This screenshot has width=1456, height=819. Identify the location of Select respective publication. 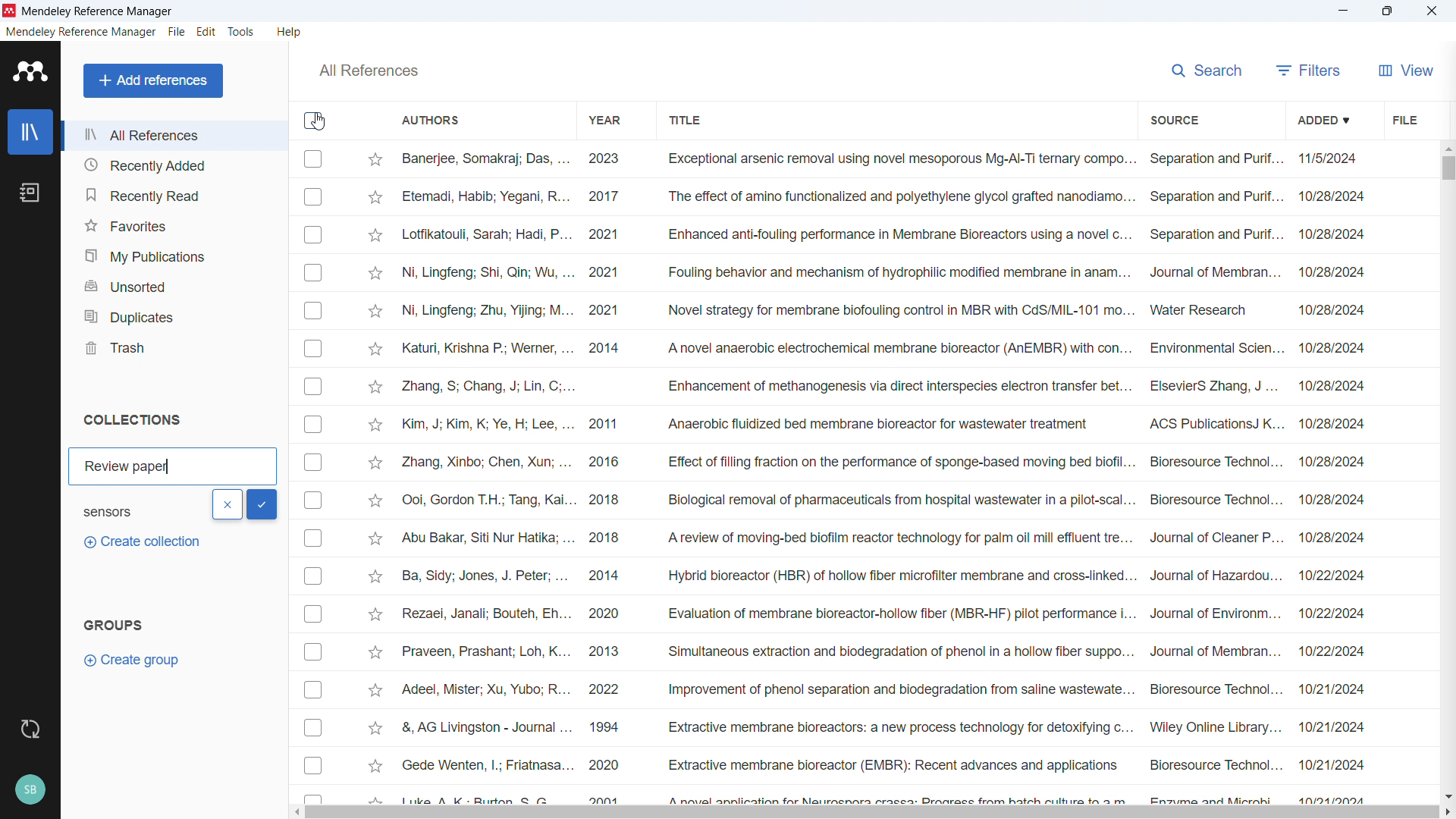
(313, 500).